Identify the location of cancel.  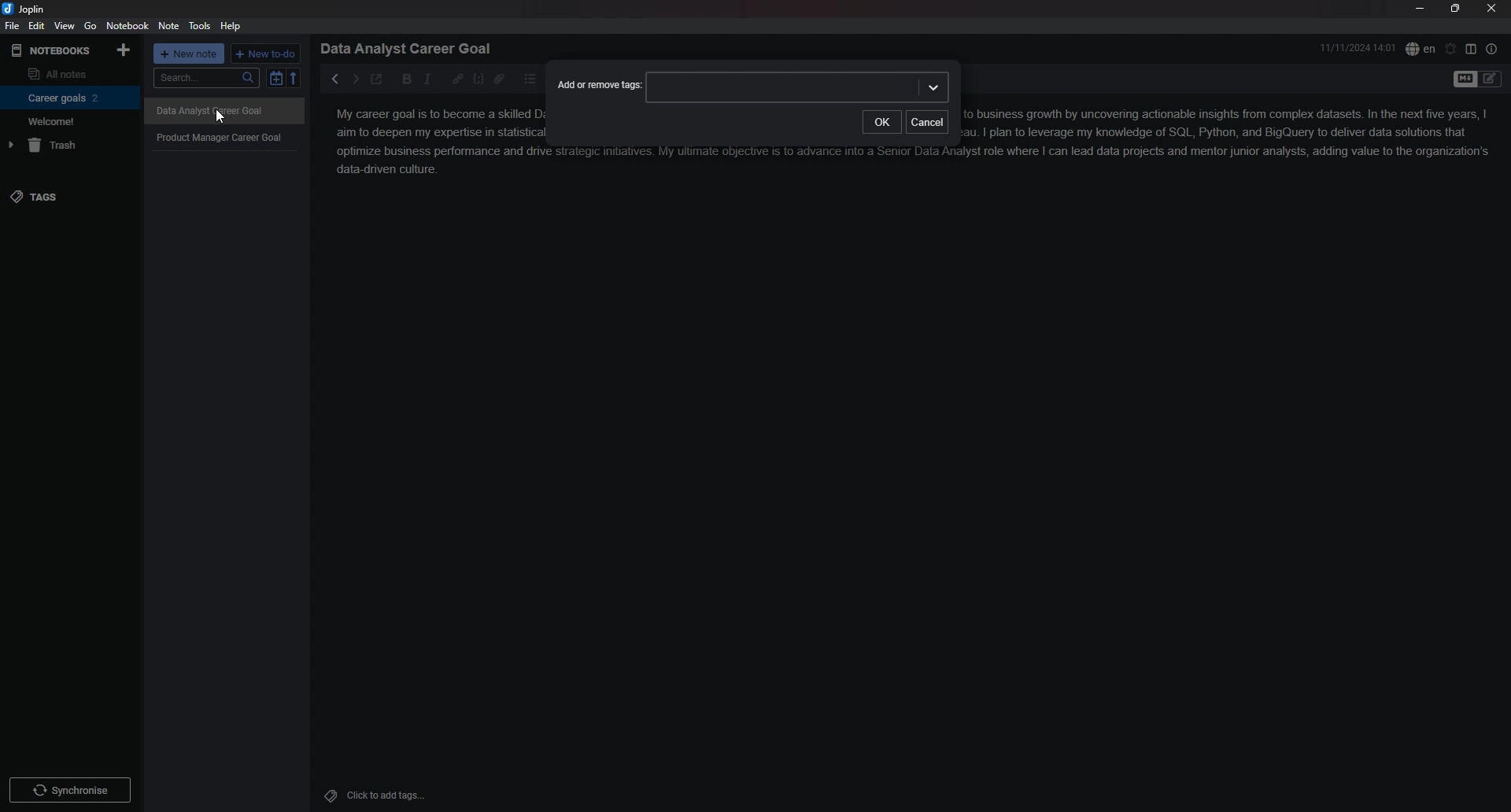
(928, 120).